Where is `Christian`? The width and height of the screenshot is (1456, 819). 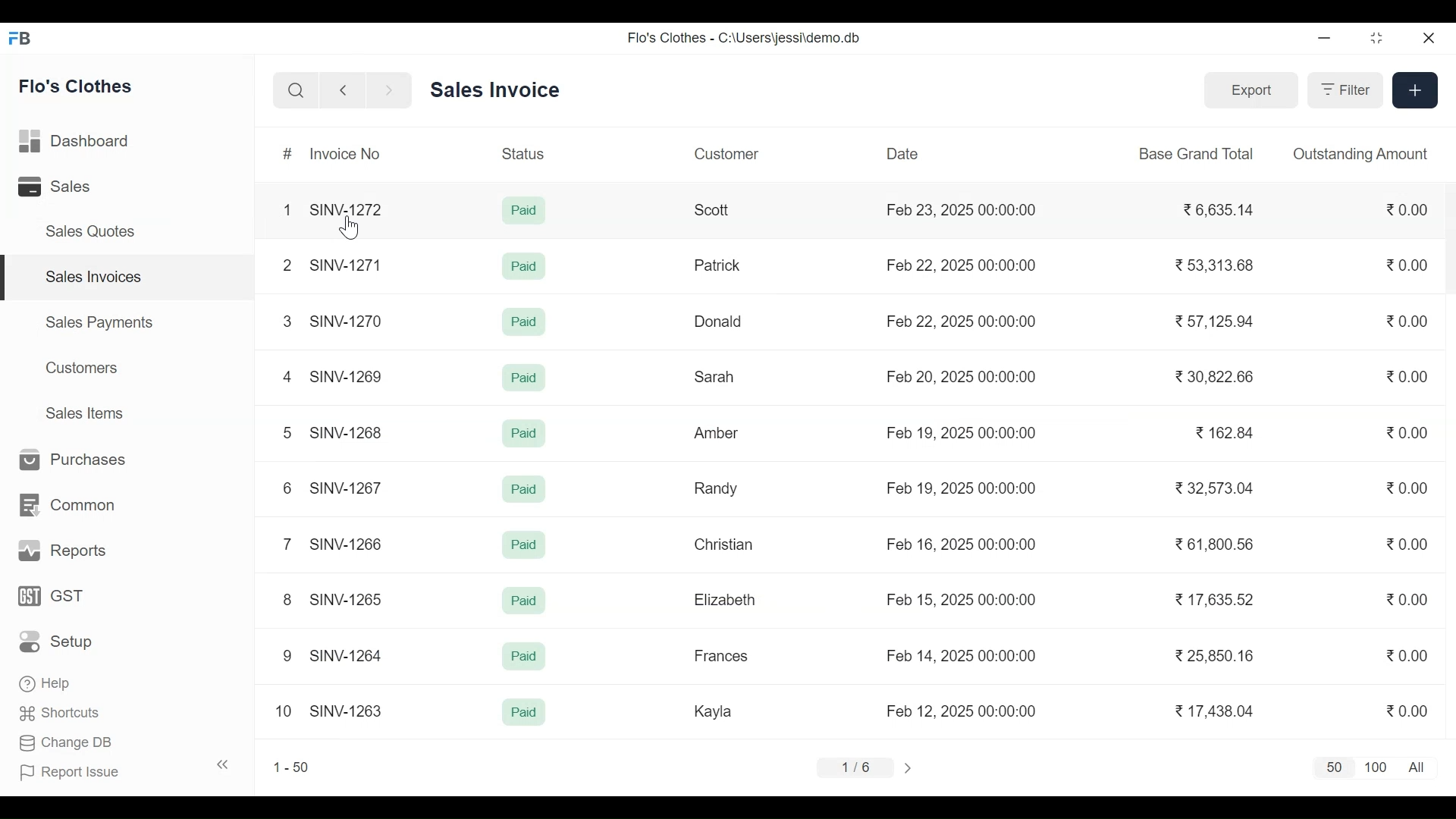
Christian is located at coordinates (724, 543).